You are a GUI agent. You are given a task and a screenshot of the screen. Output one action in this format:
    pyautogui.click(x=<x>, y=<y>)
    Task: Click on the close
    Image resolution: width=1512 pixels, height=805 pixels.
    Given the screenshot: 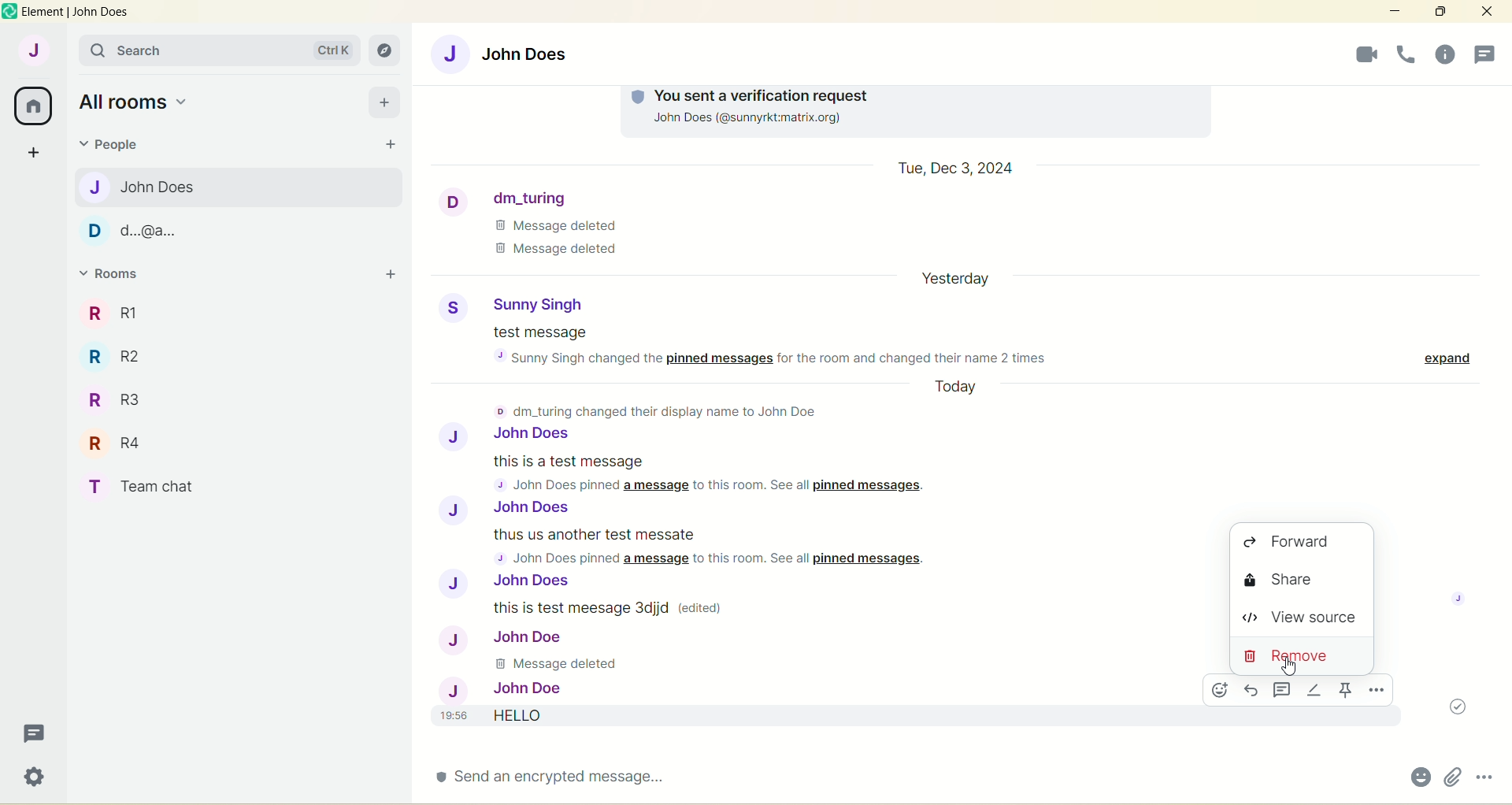 What is the action you would take?
    pyautogui.click(x=1483, y=13)
    